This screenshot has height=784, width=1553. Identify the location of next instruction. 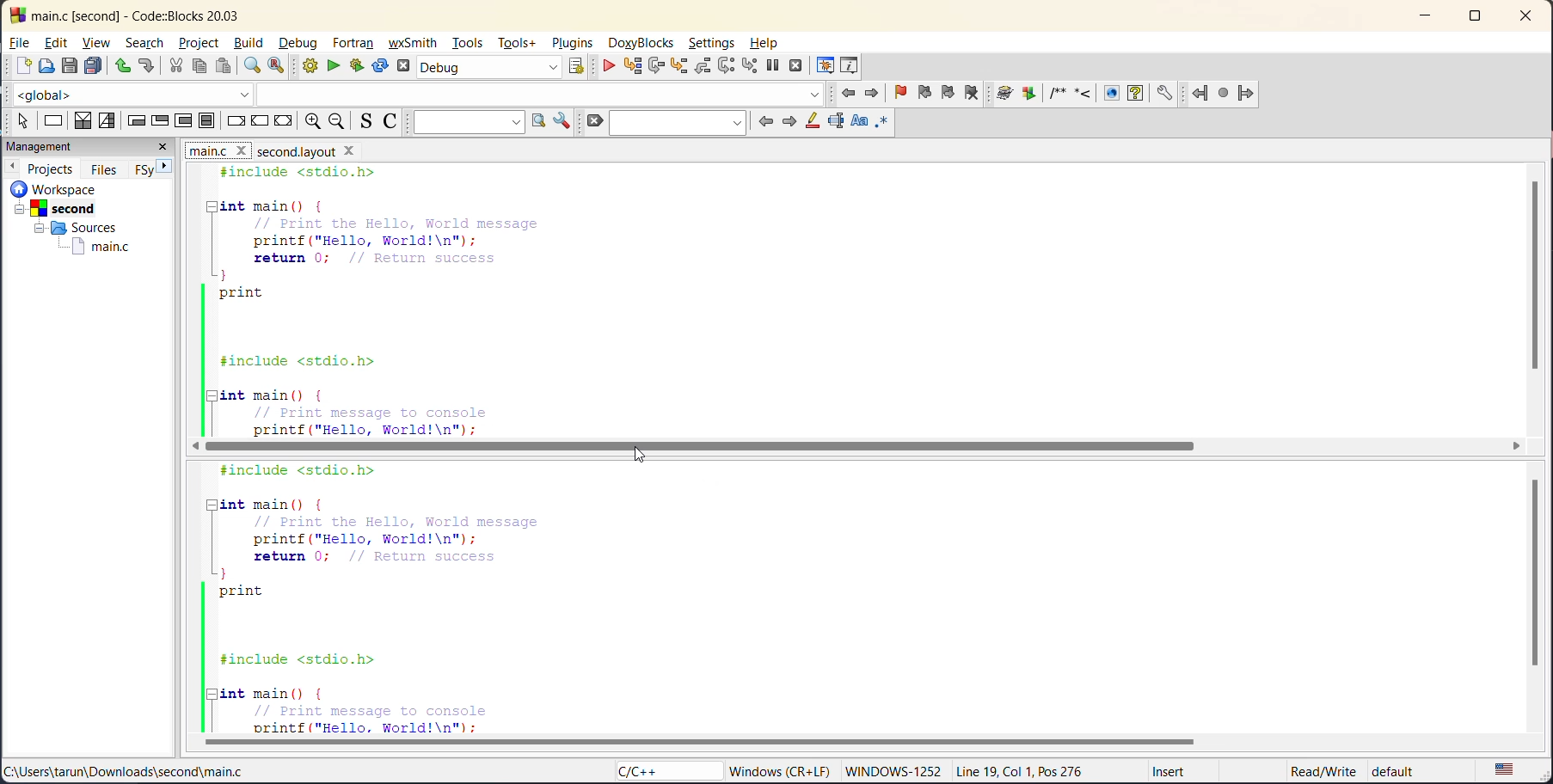
(725, 66).